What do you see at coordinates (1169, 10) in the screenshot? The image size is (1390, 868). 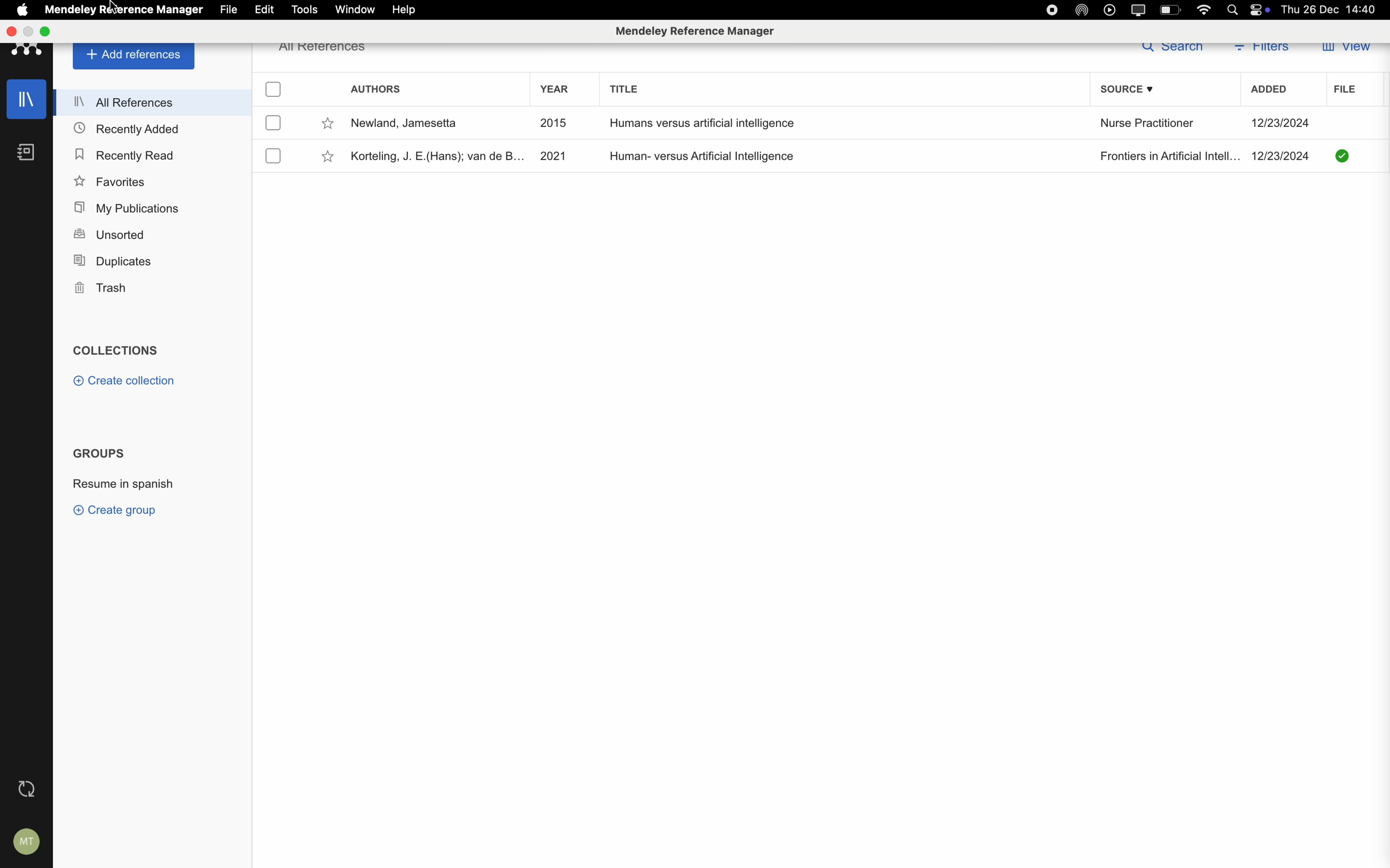 I see `battery` at bounding box center [1169, 10].